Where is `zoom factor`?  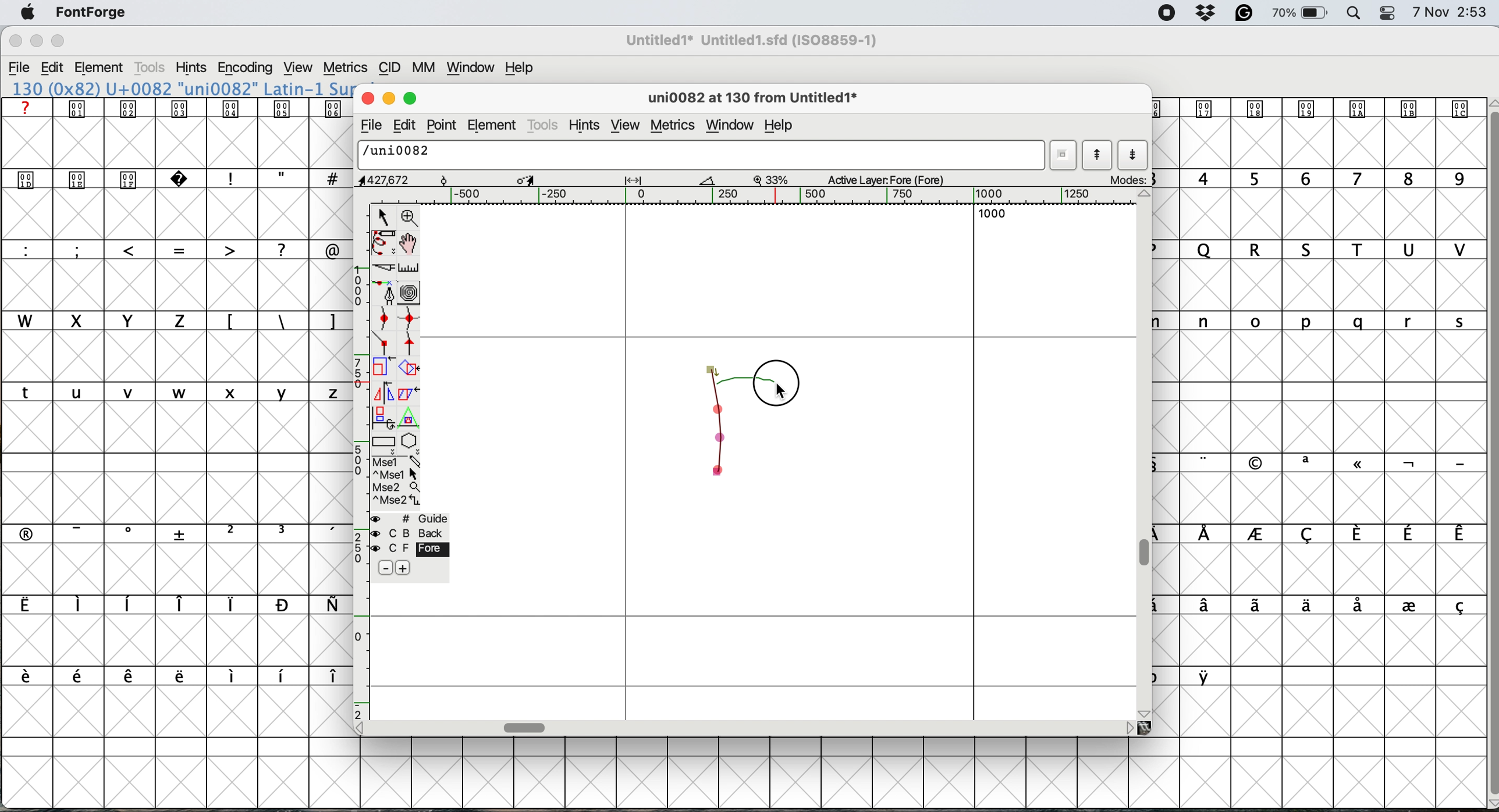
zoom factor is located at coordinates (773, 179).